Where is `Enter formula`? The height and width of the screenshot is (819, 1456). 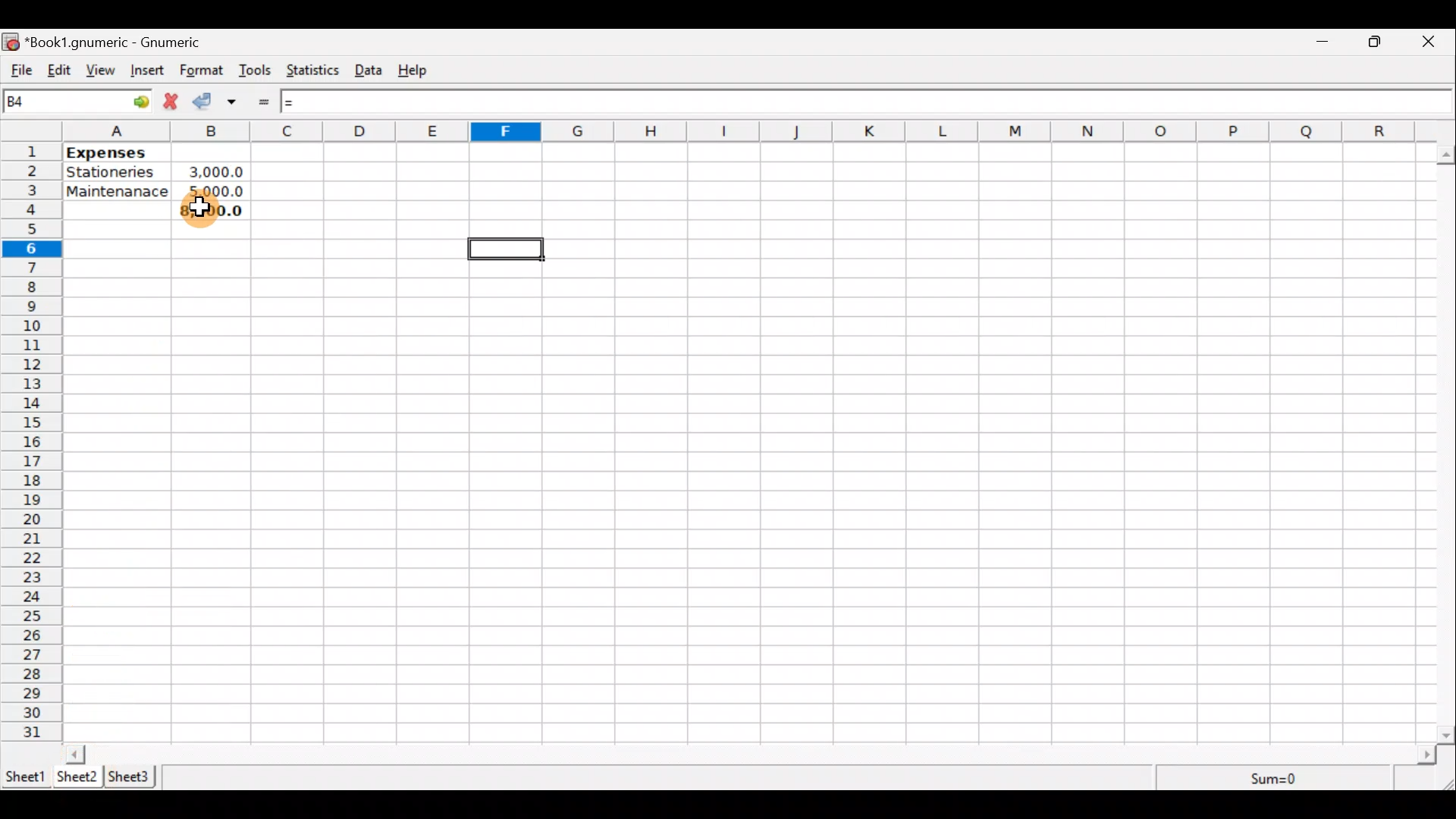
Enter formula is located at coordinates (268, 102).